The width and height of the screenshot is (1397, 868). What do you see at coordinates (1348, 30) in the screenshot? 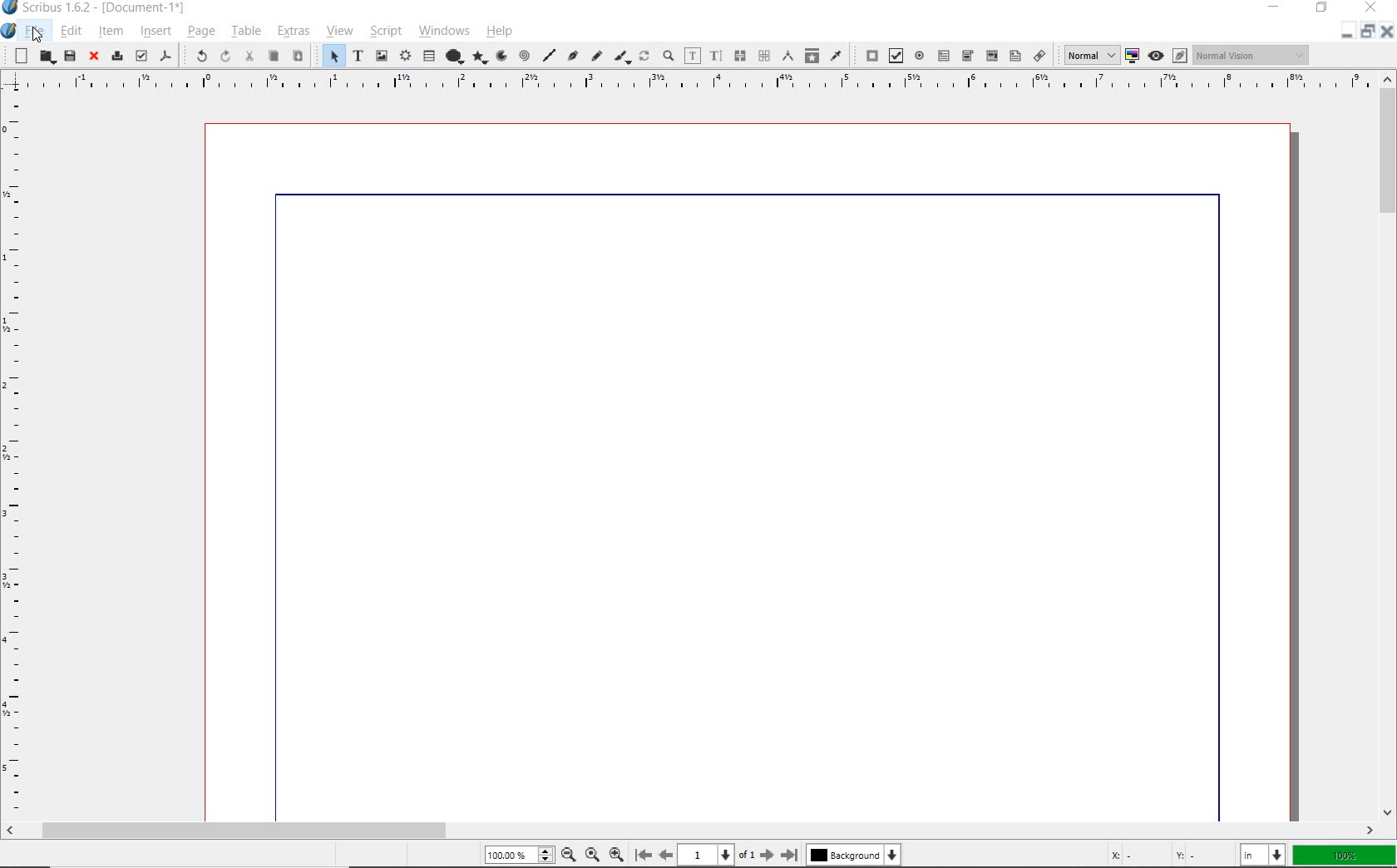
I see `restore down` at bounding box center [1348, 30].